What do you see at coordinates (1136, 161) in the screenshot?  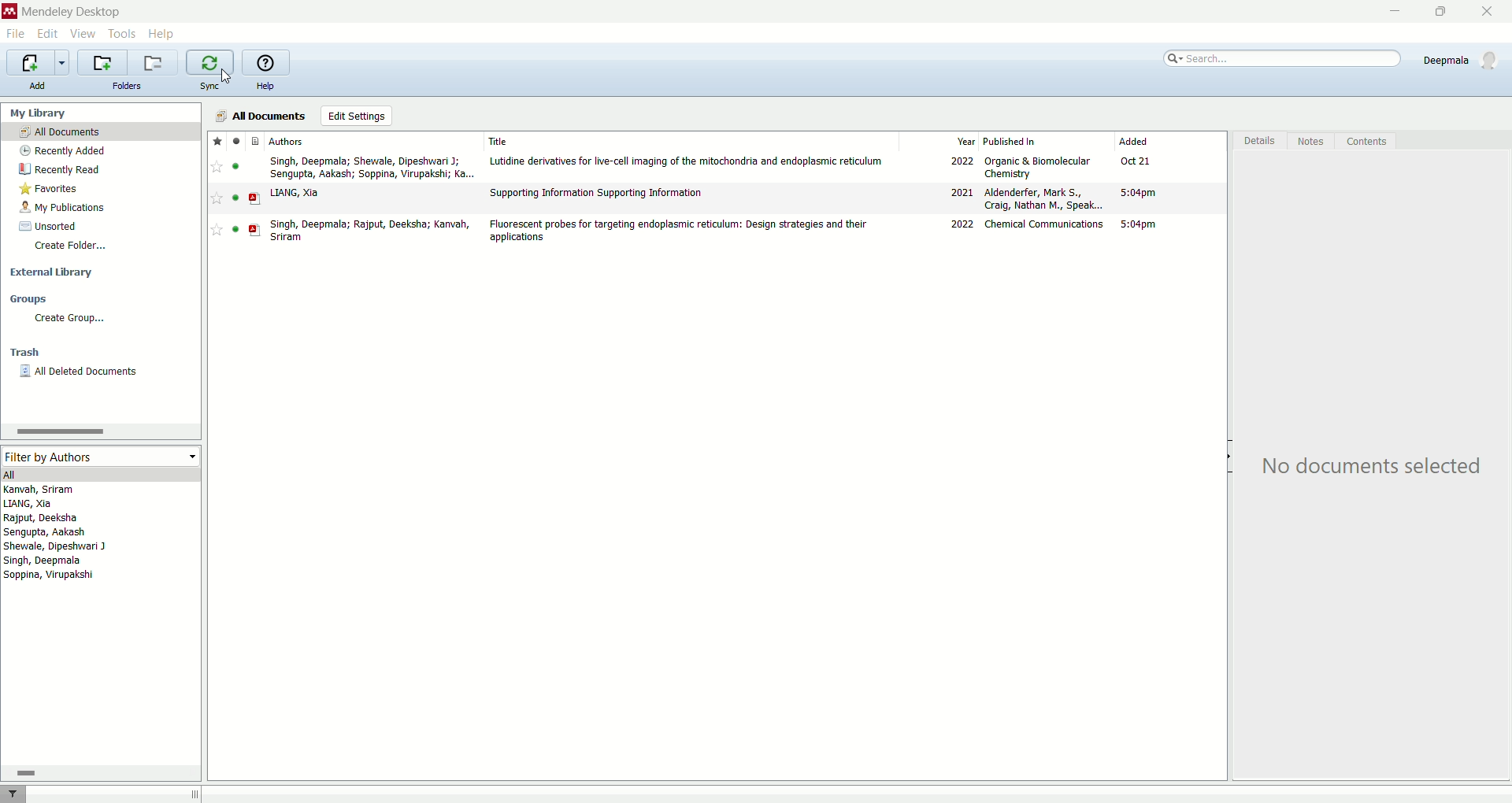 I see `Oct 21` at bounding box center [1136, 161].